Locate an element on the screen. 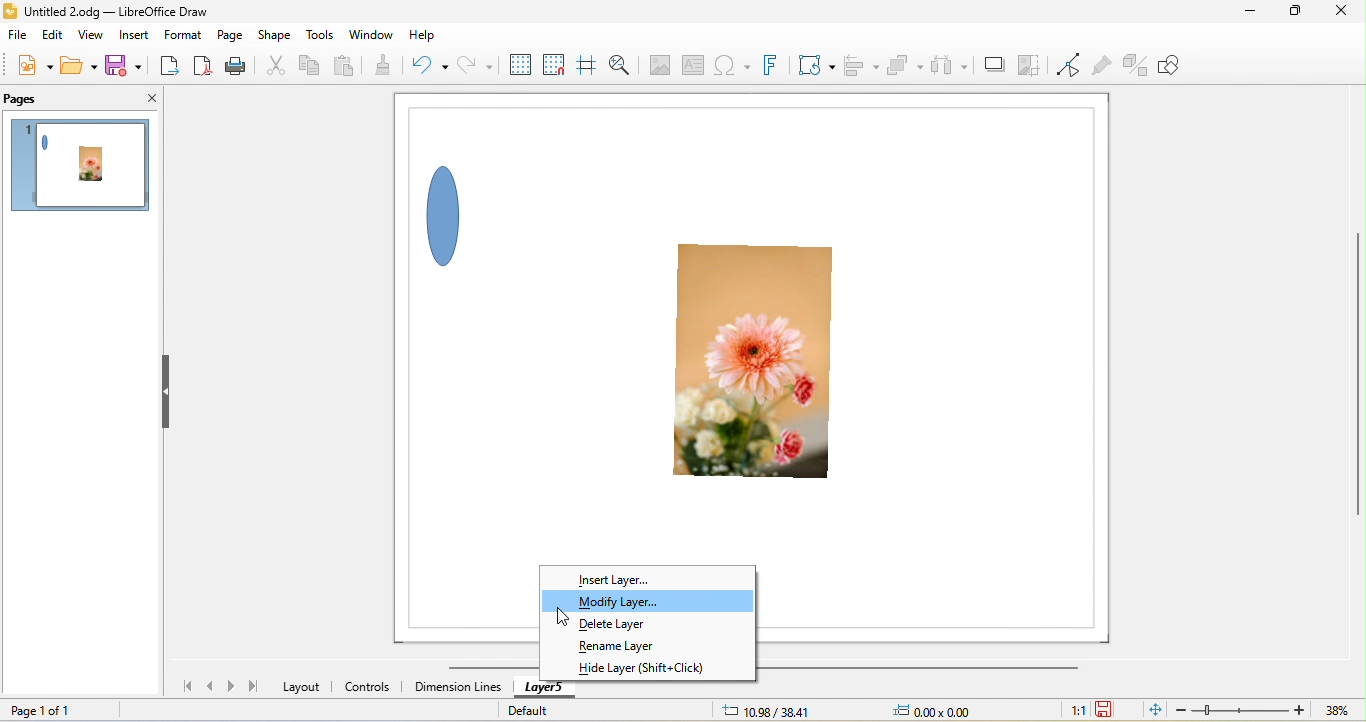  toggle point edit mode is located at coordinates (1069, 66).